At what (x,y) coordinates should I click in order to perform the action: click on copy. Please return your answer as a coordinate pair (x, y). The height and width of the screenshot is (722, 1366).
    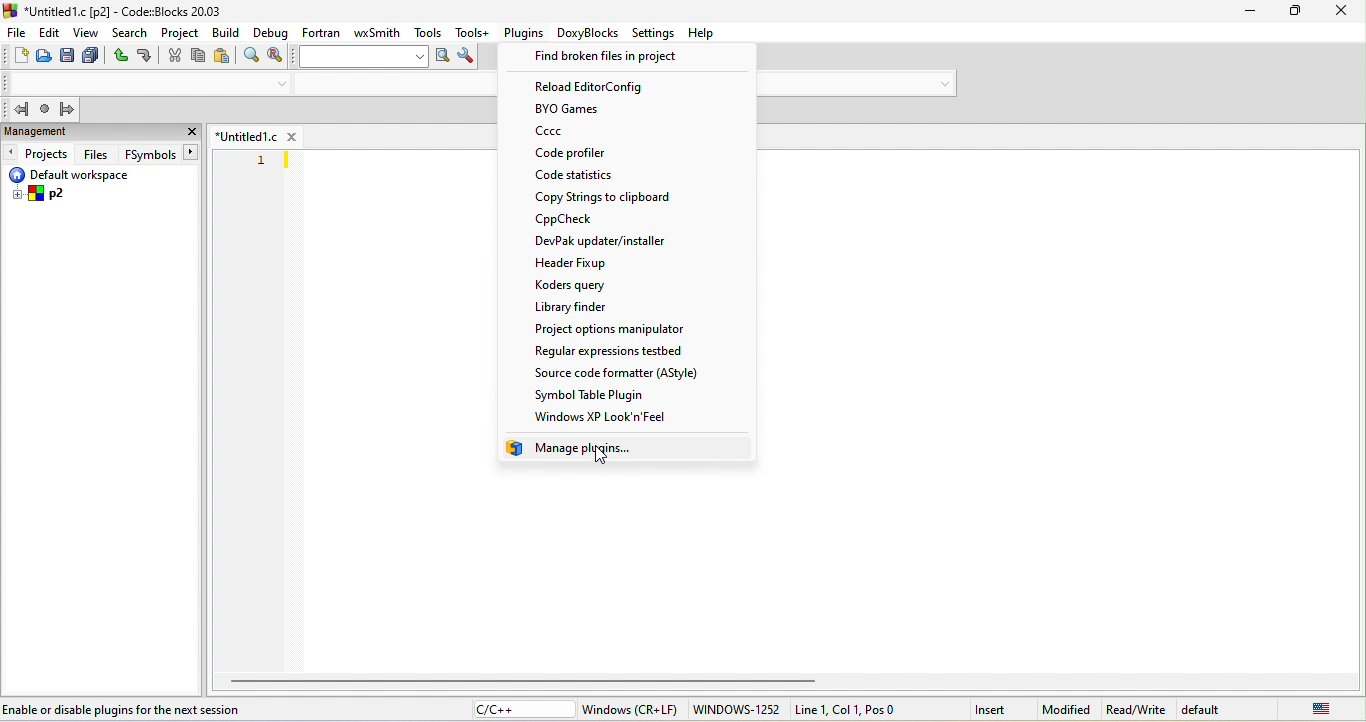
    Looking at the image, I should click on (198, 57).